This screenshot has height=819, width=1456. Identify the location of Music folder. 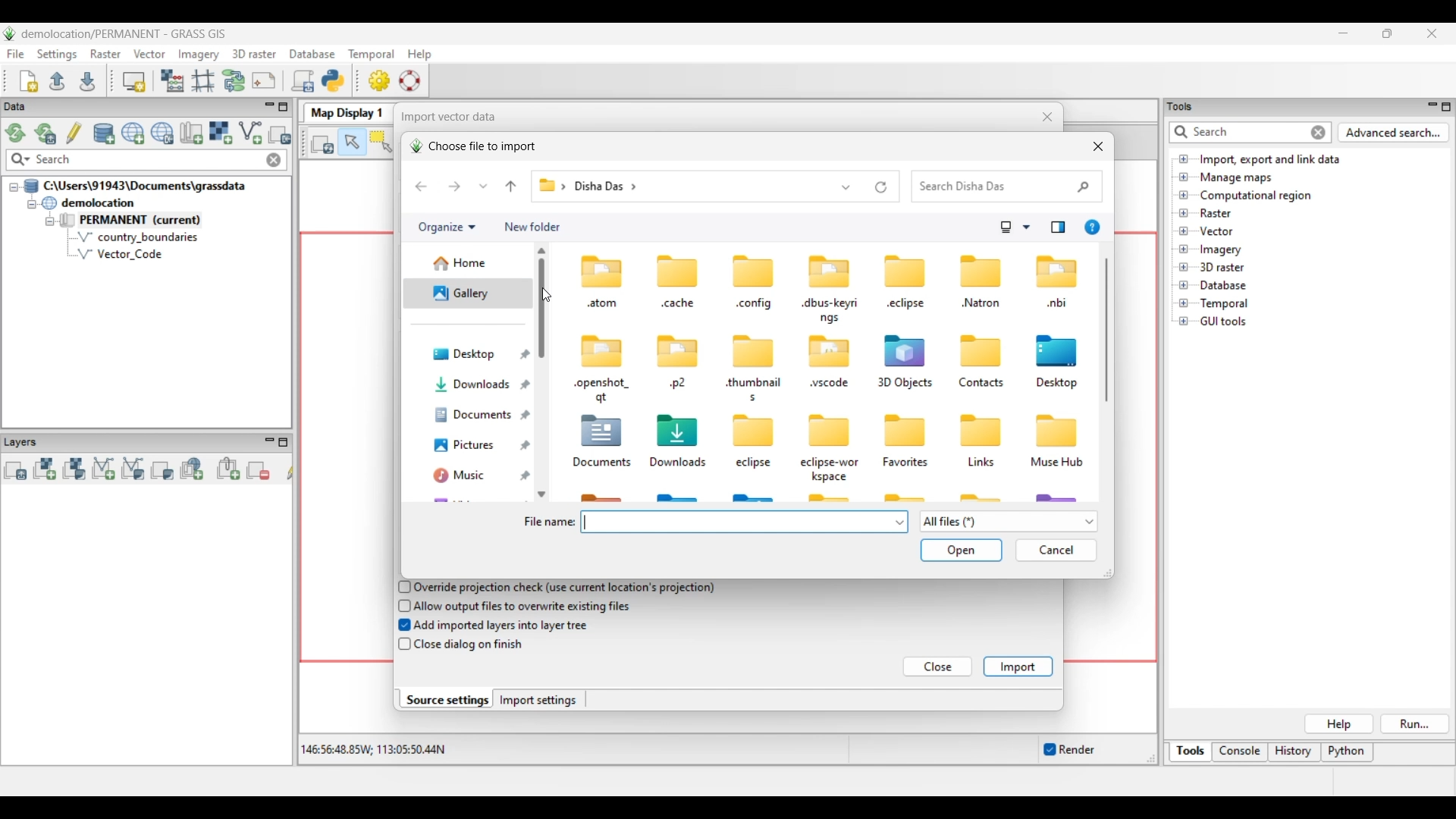
(470, 475).